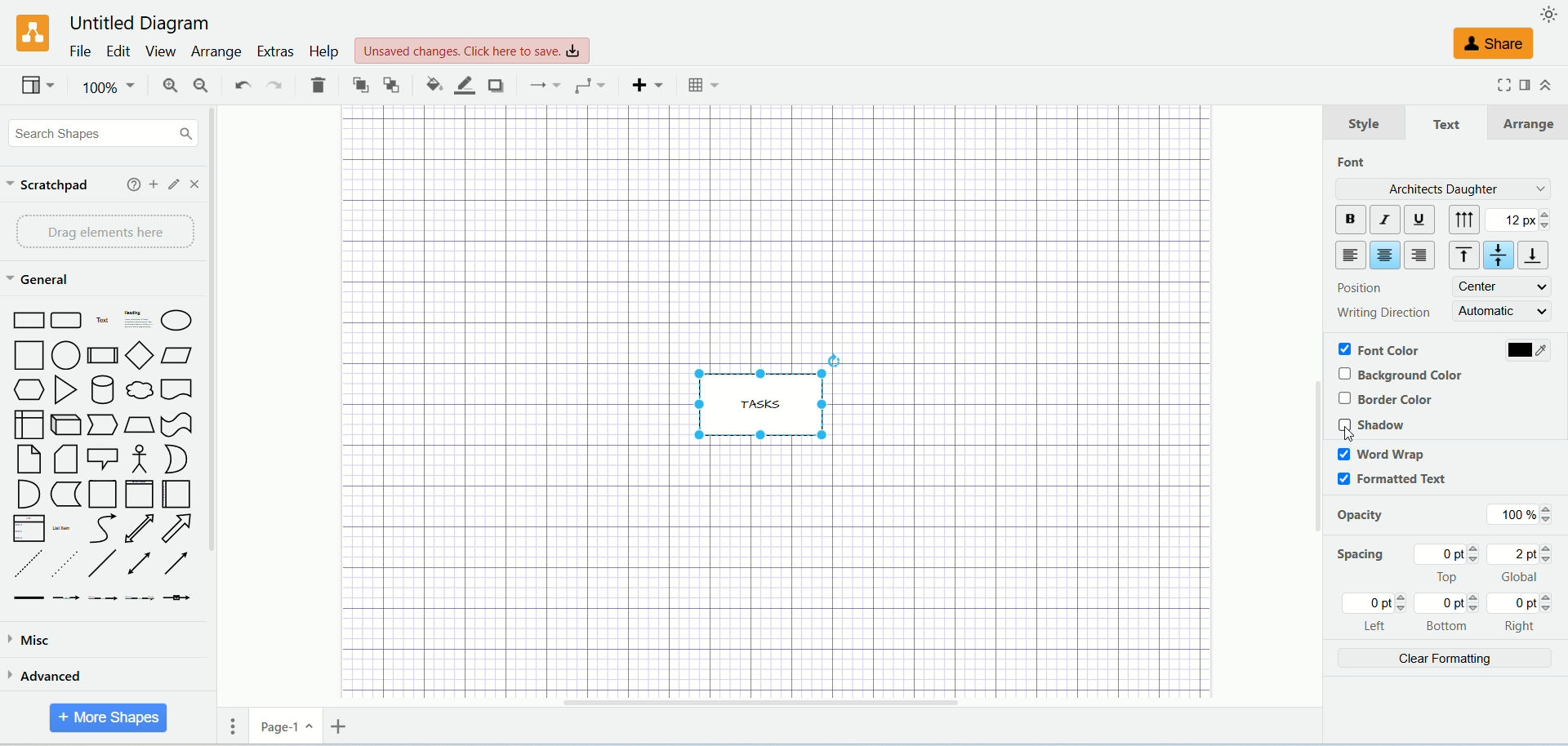 The height and width of the screenshot is (746, 1568). I want to click on file, so click(78, 51).